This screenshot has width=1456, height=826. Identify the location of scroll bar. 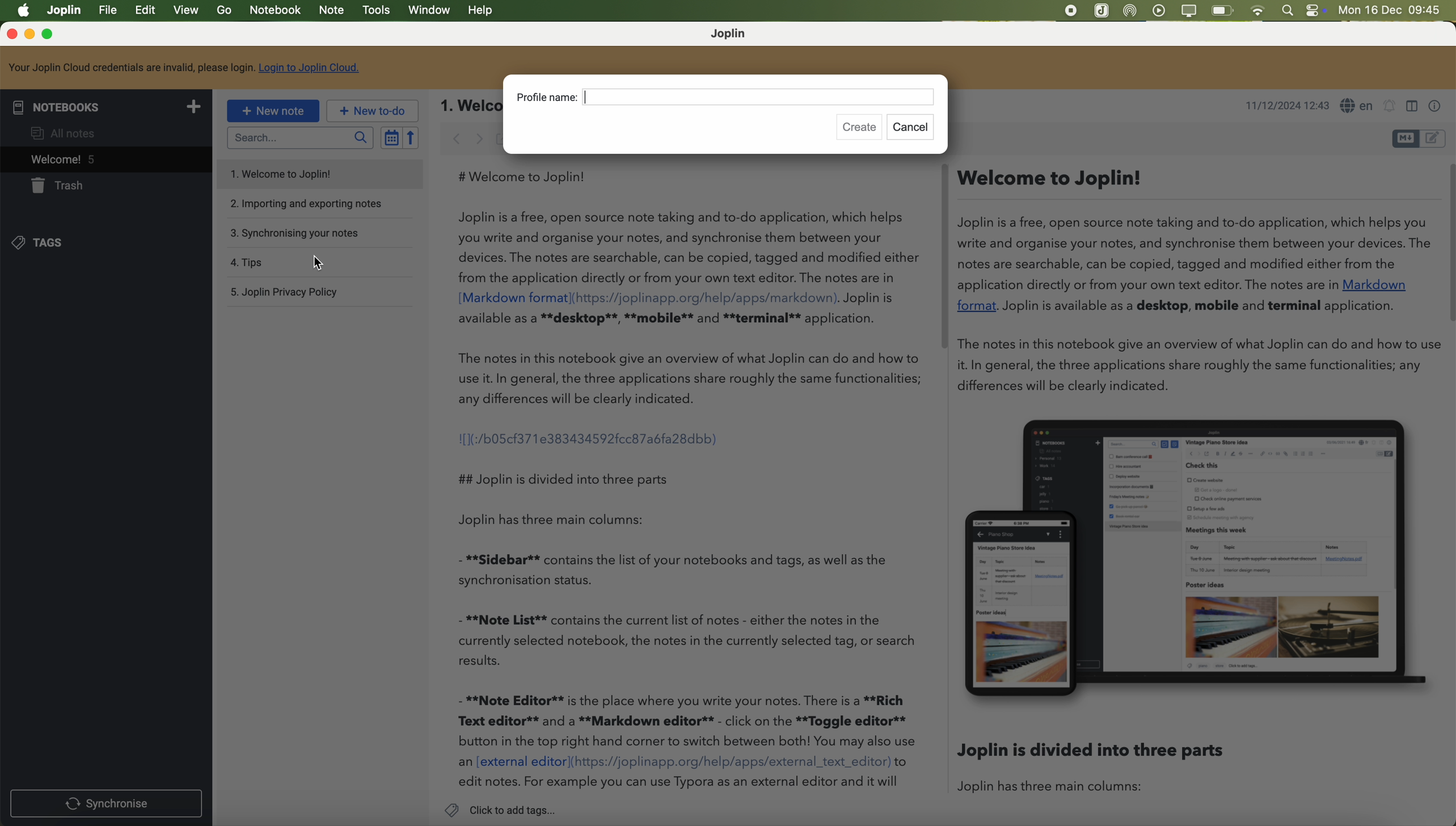
(940, 256).